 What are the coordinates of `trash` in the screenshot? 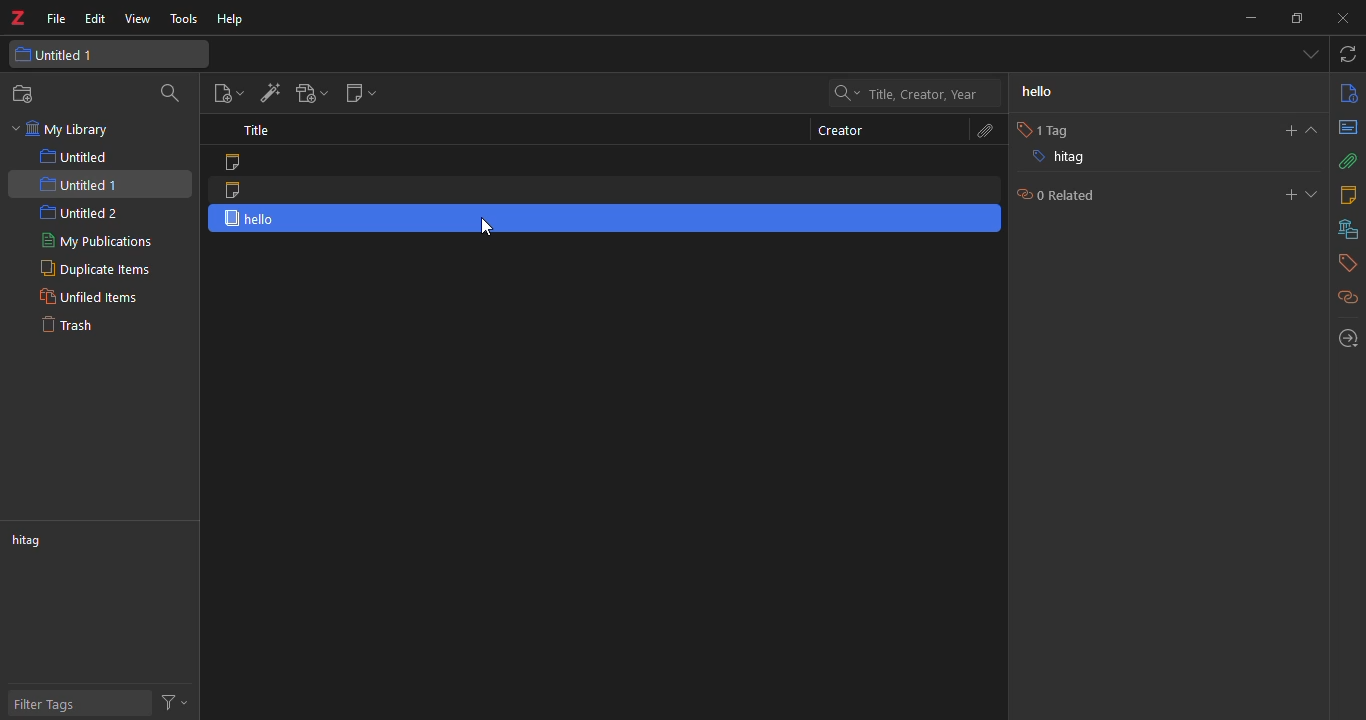 It's located at (68, 324).